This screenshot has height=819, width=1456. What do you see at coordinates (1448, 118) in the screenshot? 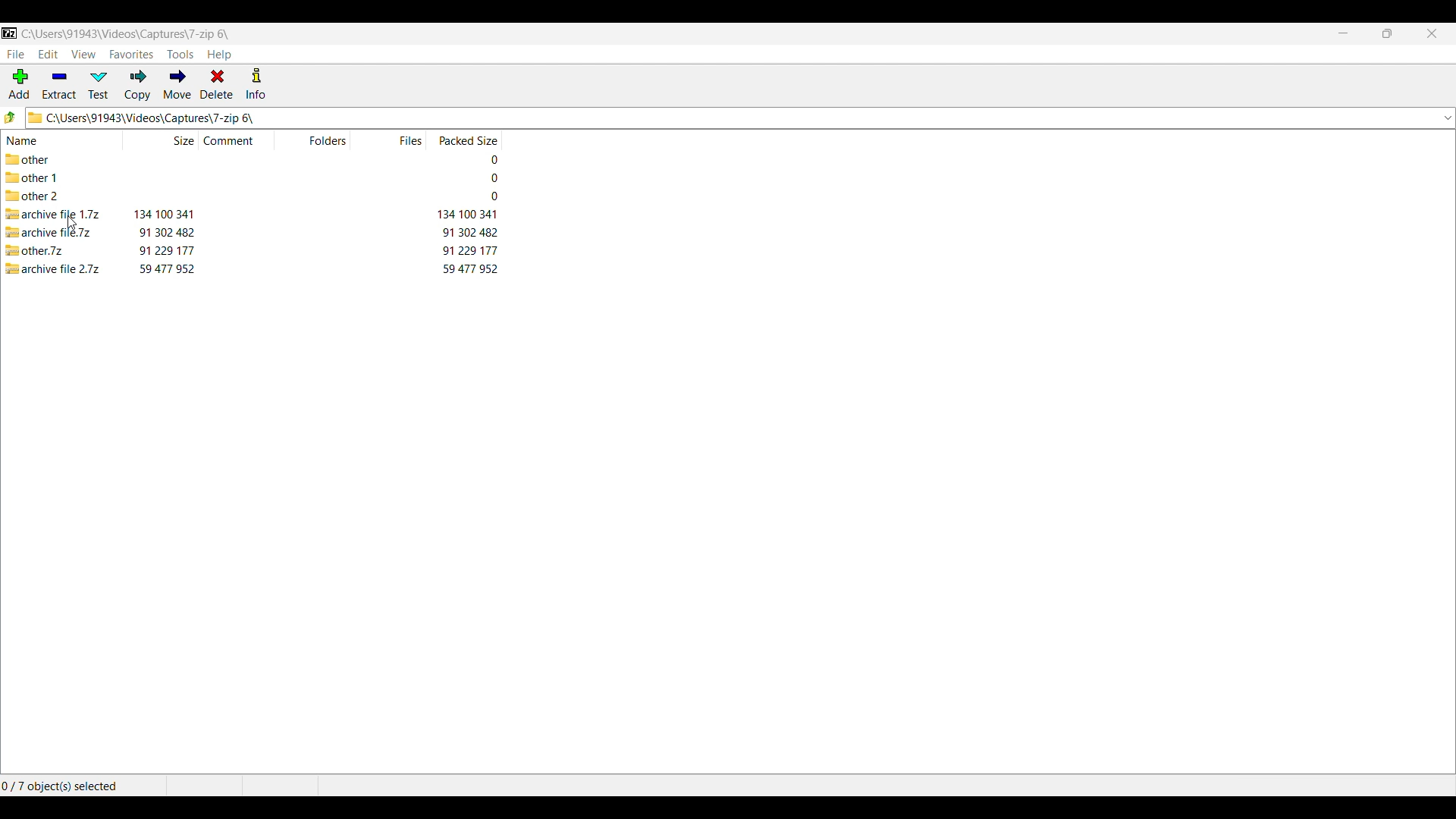
I see `Dropdown menu` at bounding box center [1448, 118].